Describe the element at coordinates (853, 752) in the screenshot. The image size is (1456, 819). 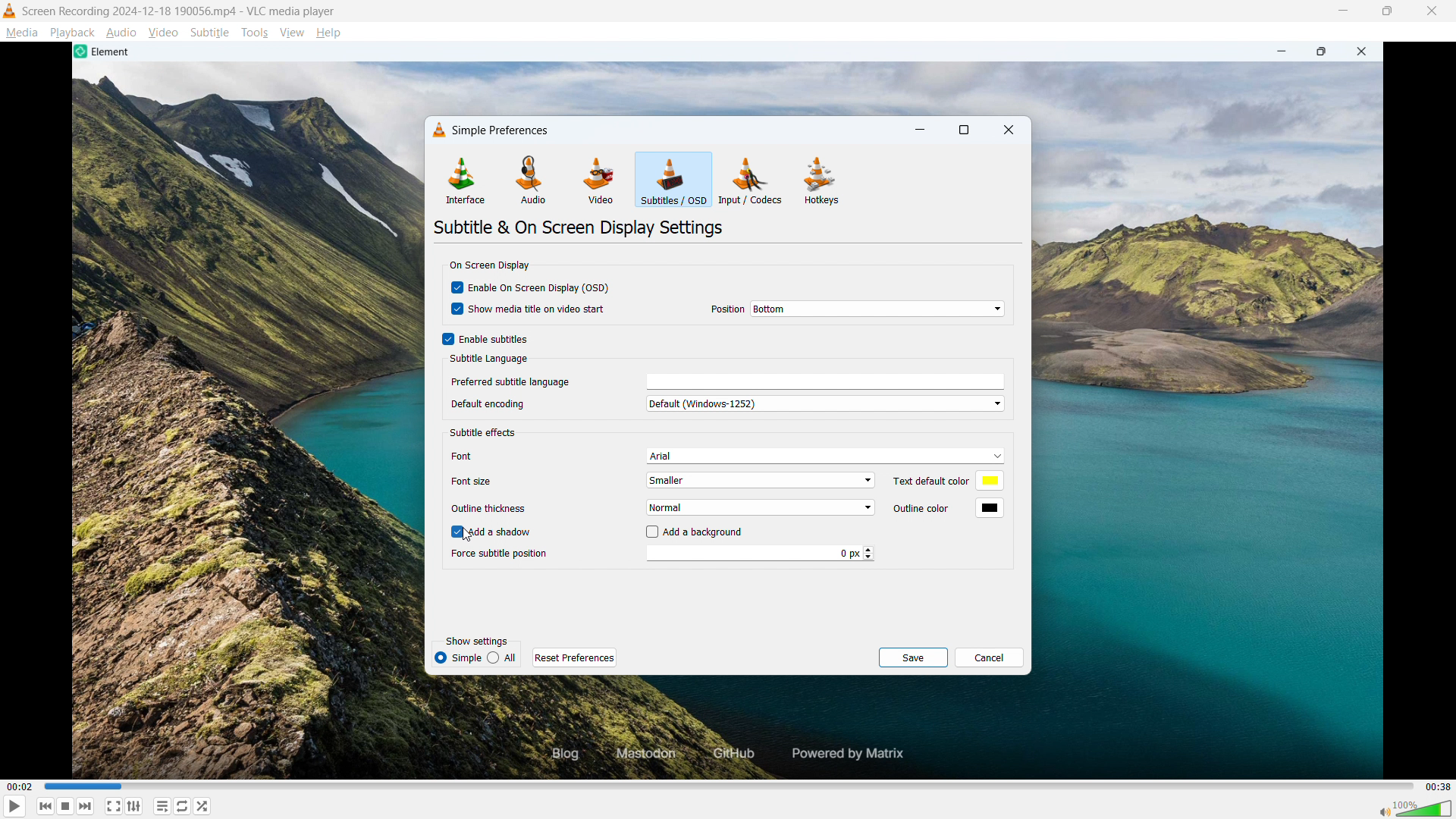
I see `Powered by Matrix` at that location.